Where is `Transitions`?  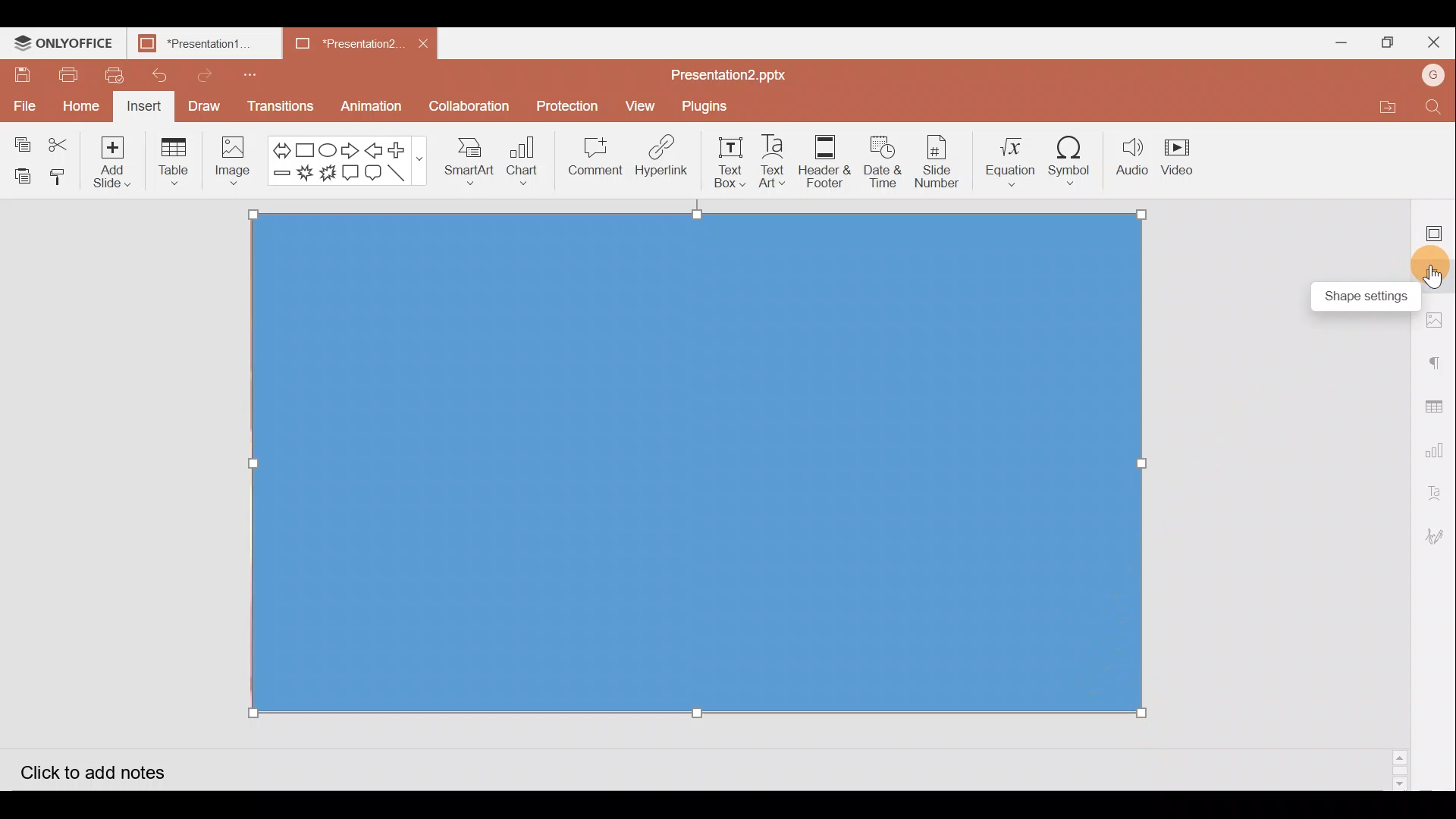 Transitions is located at coordinates (279, 106).